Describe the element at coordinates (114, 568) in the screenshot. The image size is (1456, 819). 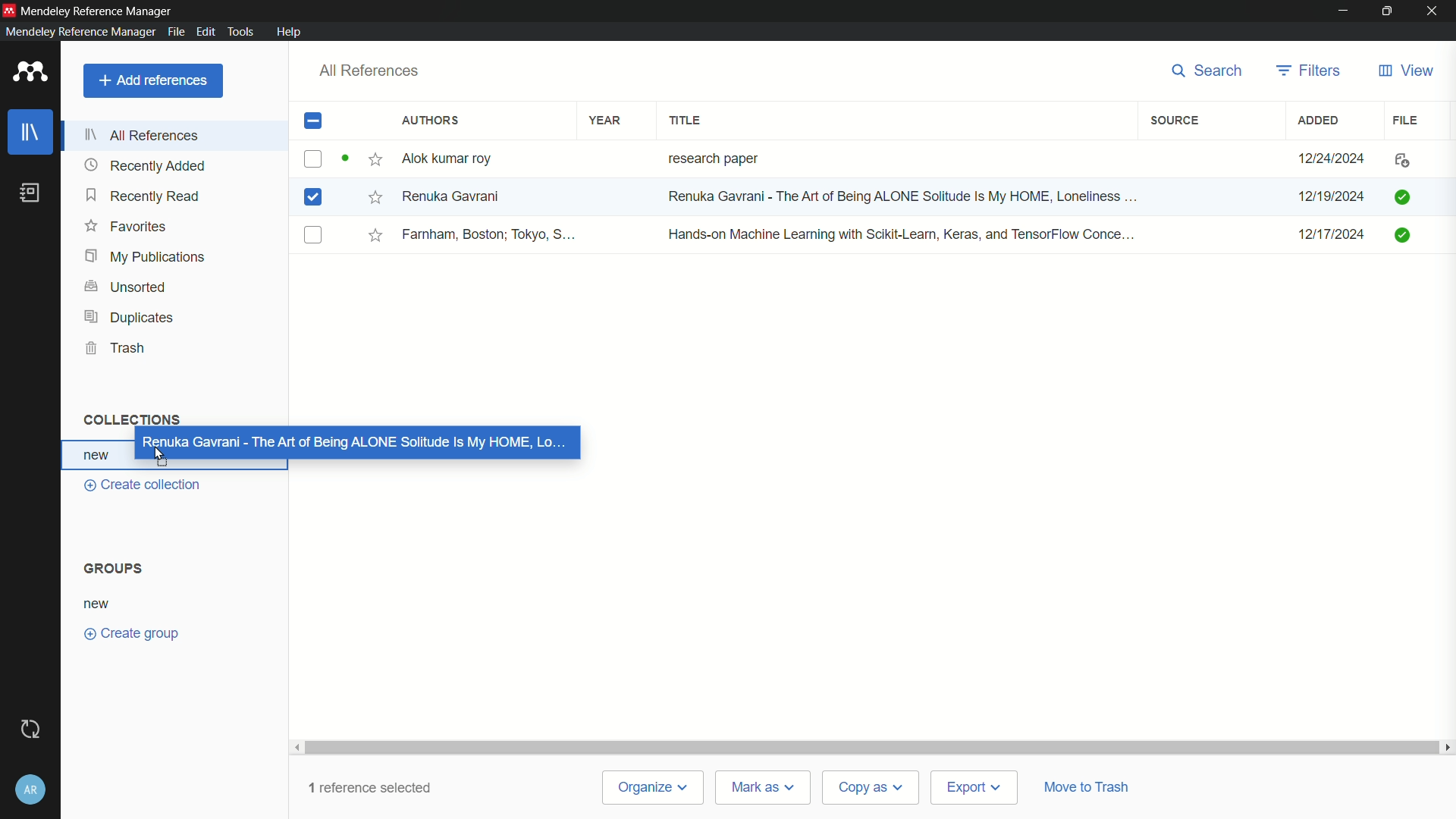
I see `groups` at that location.